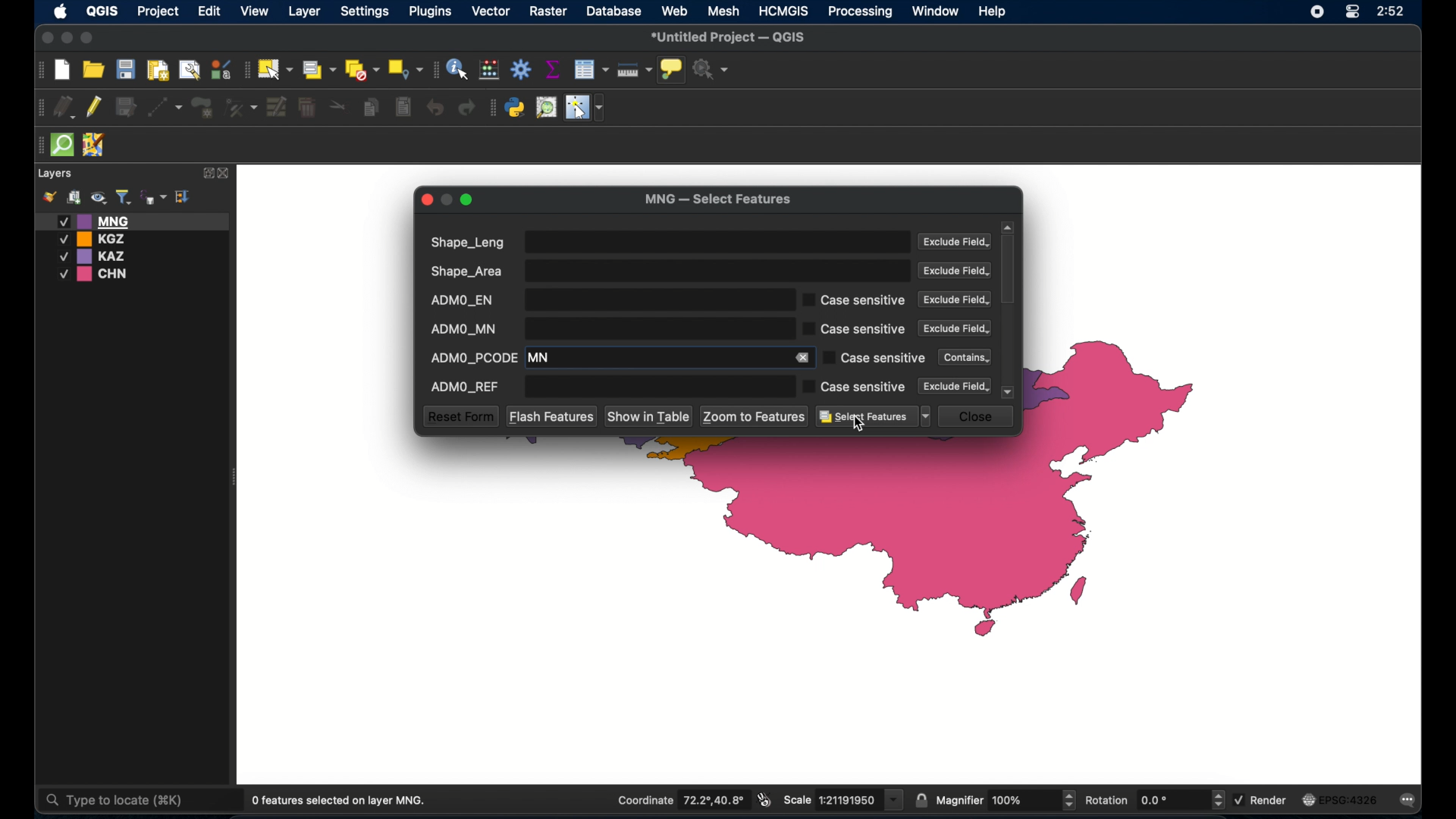  Describe the element at coordinates (154, 196) in the screenshot. I see `filter legend by expression` at that location.